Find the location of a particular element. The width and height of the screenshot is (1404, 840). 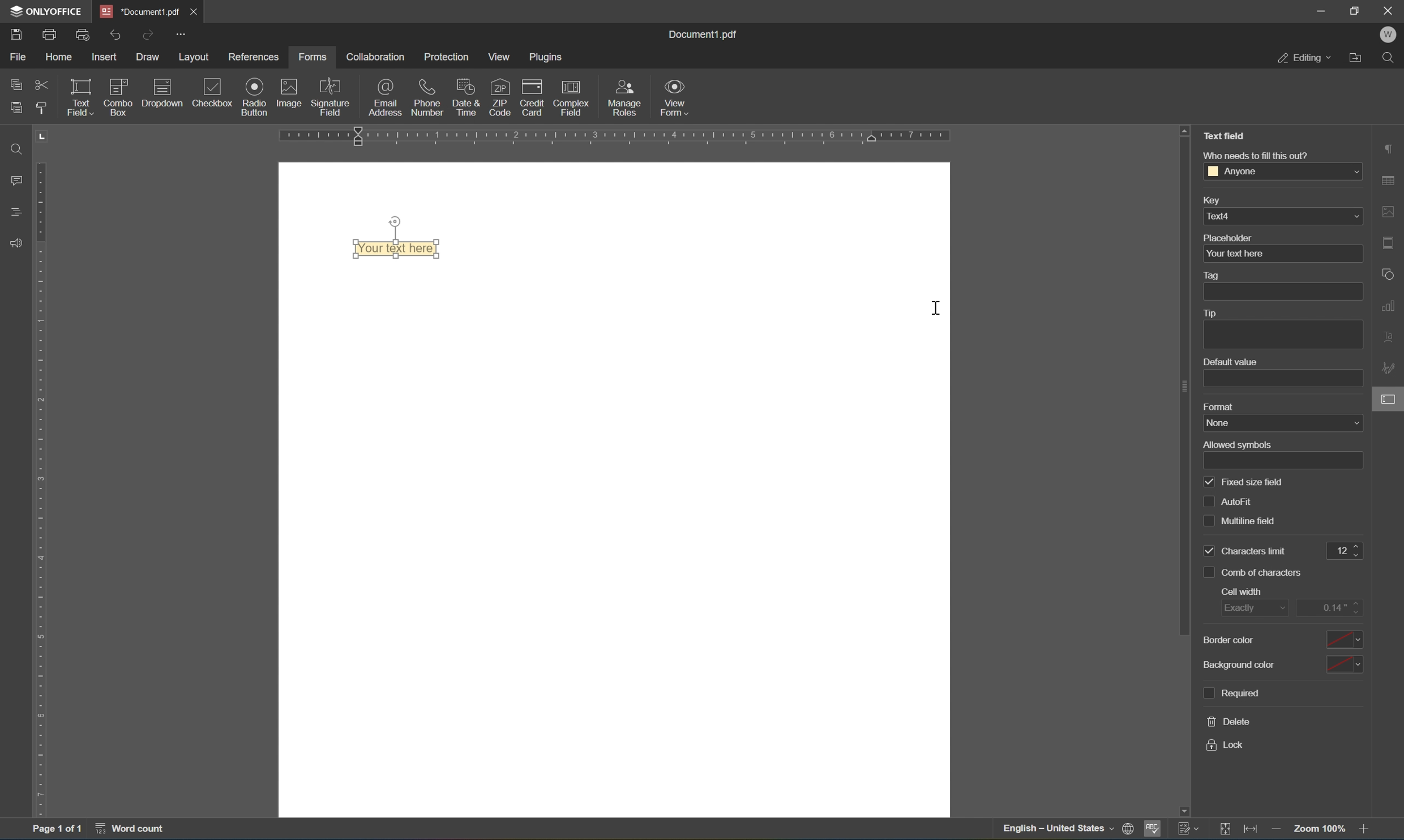

english - united states is located at coordinates (1055, 829).